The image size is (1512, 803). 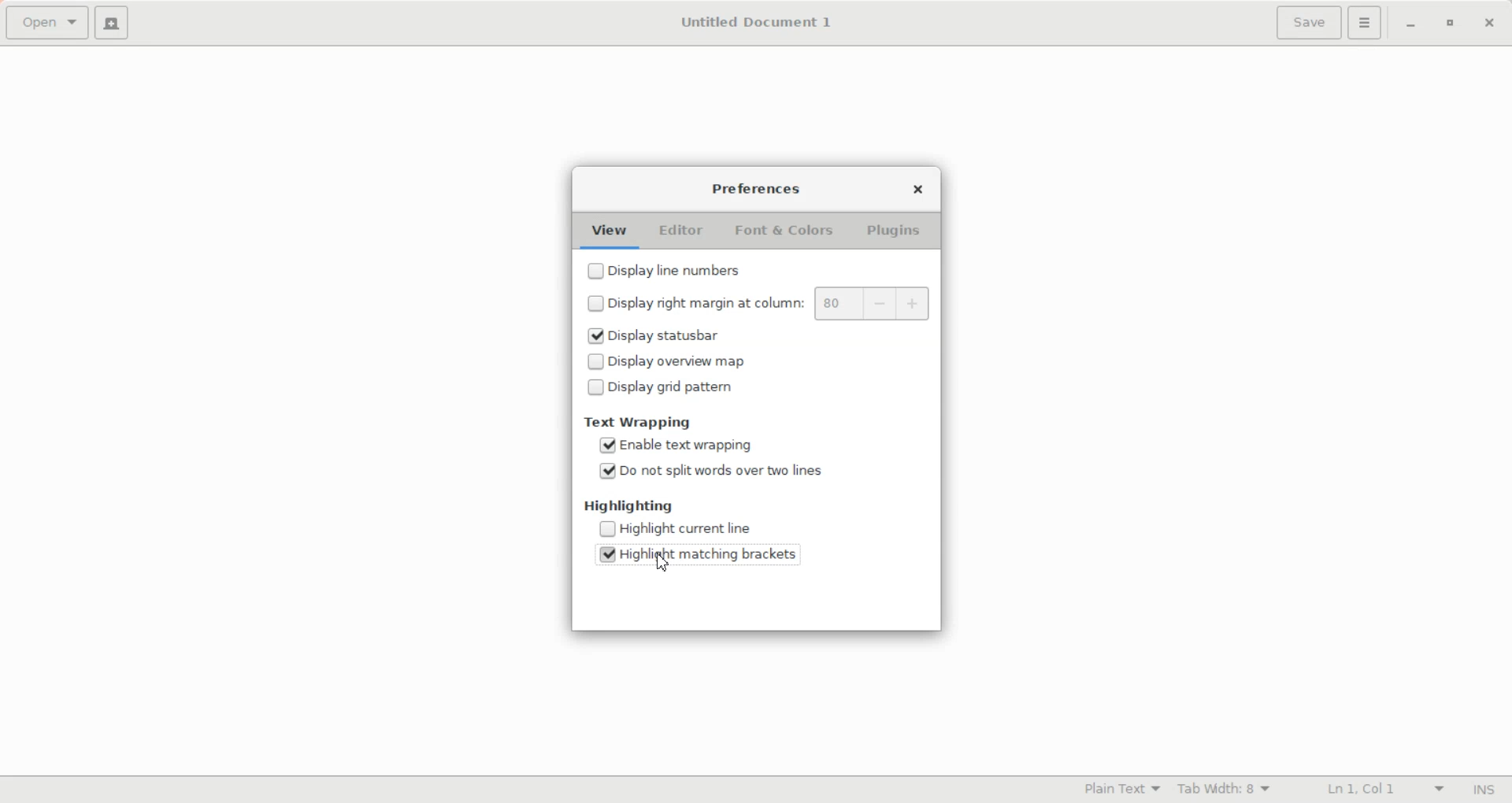 I want to click on Highlighting Mode, so click(x=1120, y=790).